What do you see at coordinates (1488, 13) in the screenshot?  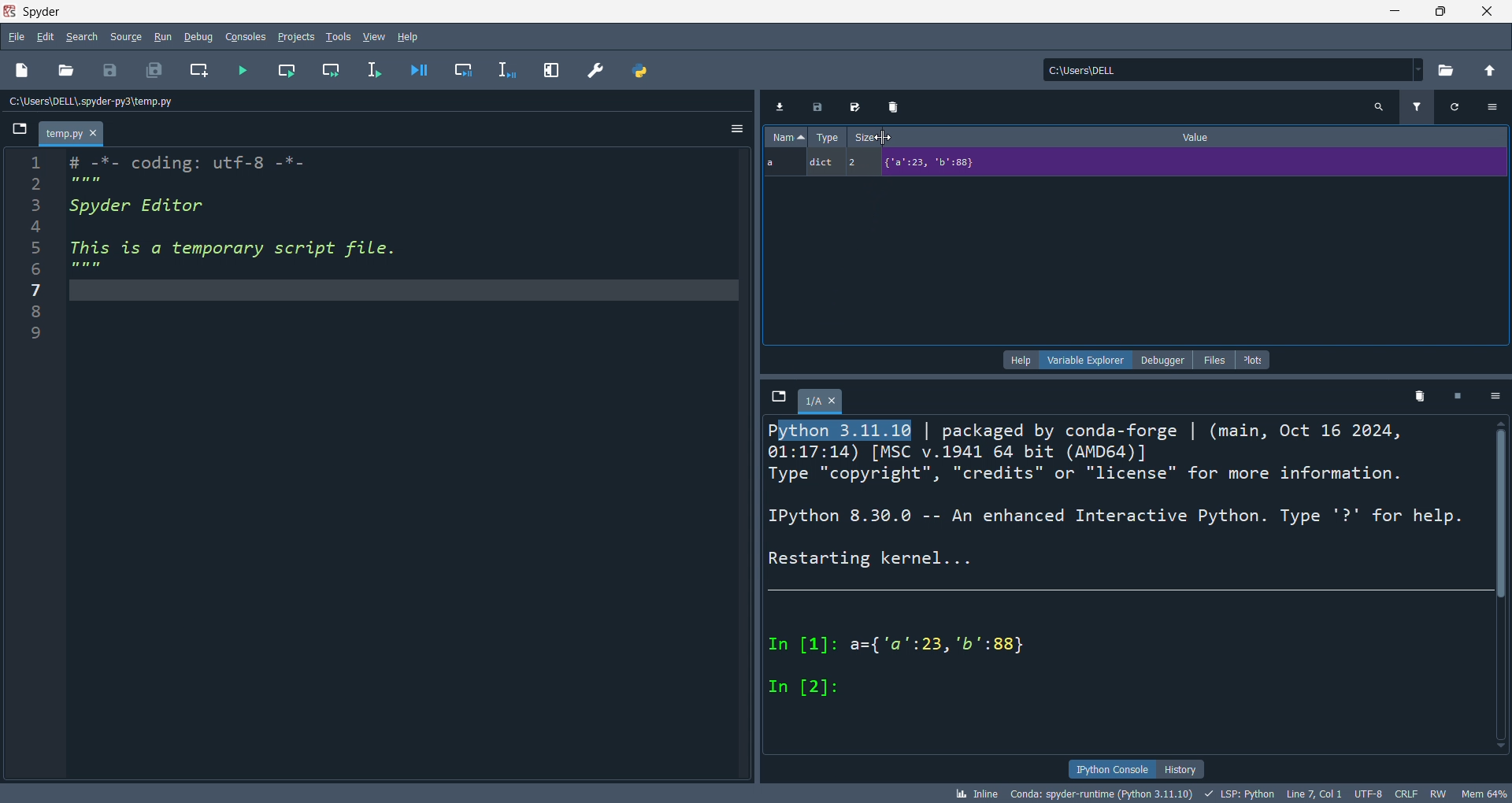 I see `close` at bounding box center [1488, 13].